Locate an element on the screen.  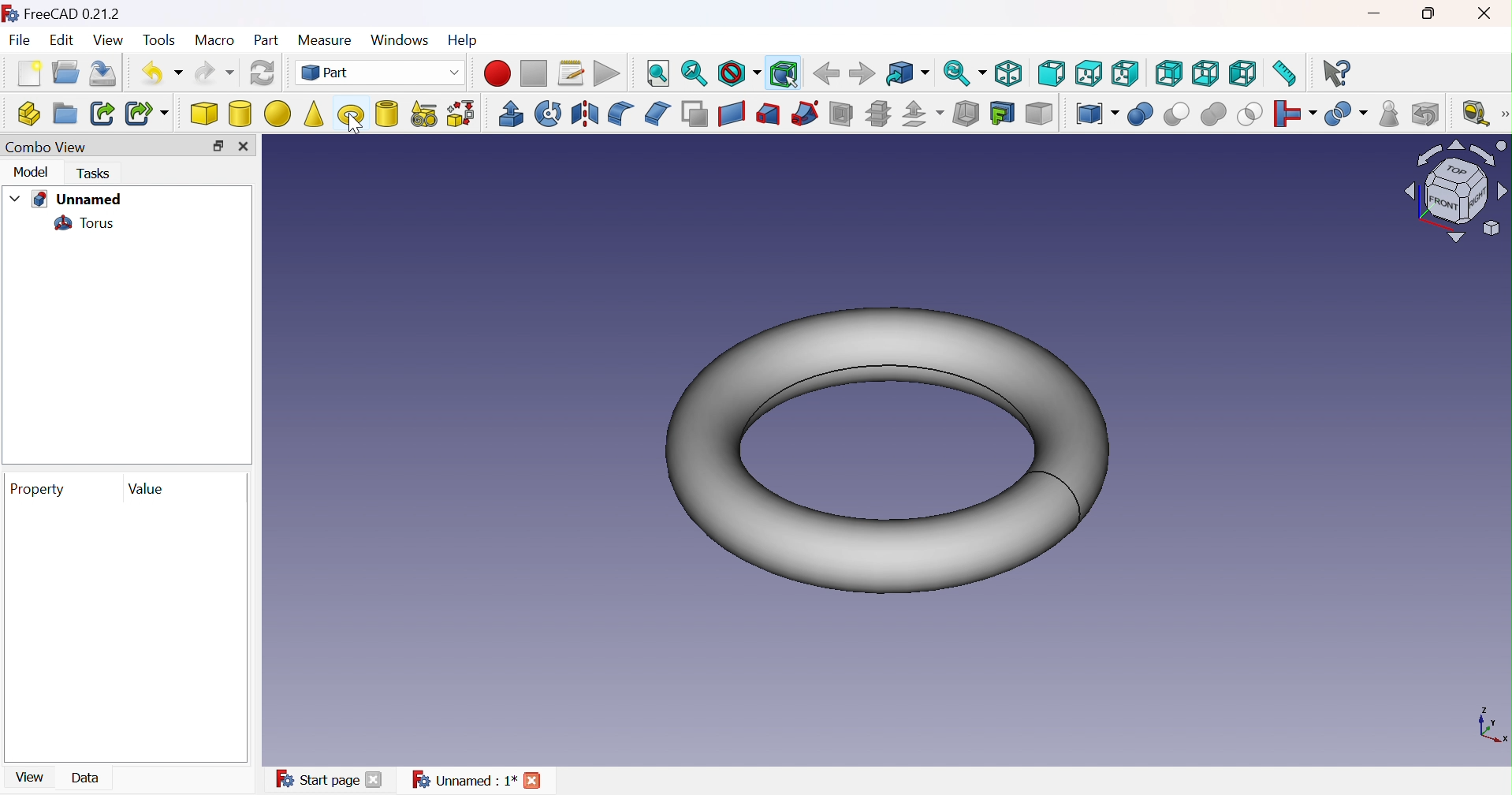
Execute macro is located at coordinates (609, 73).